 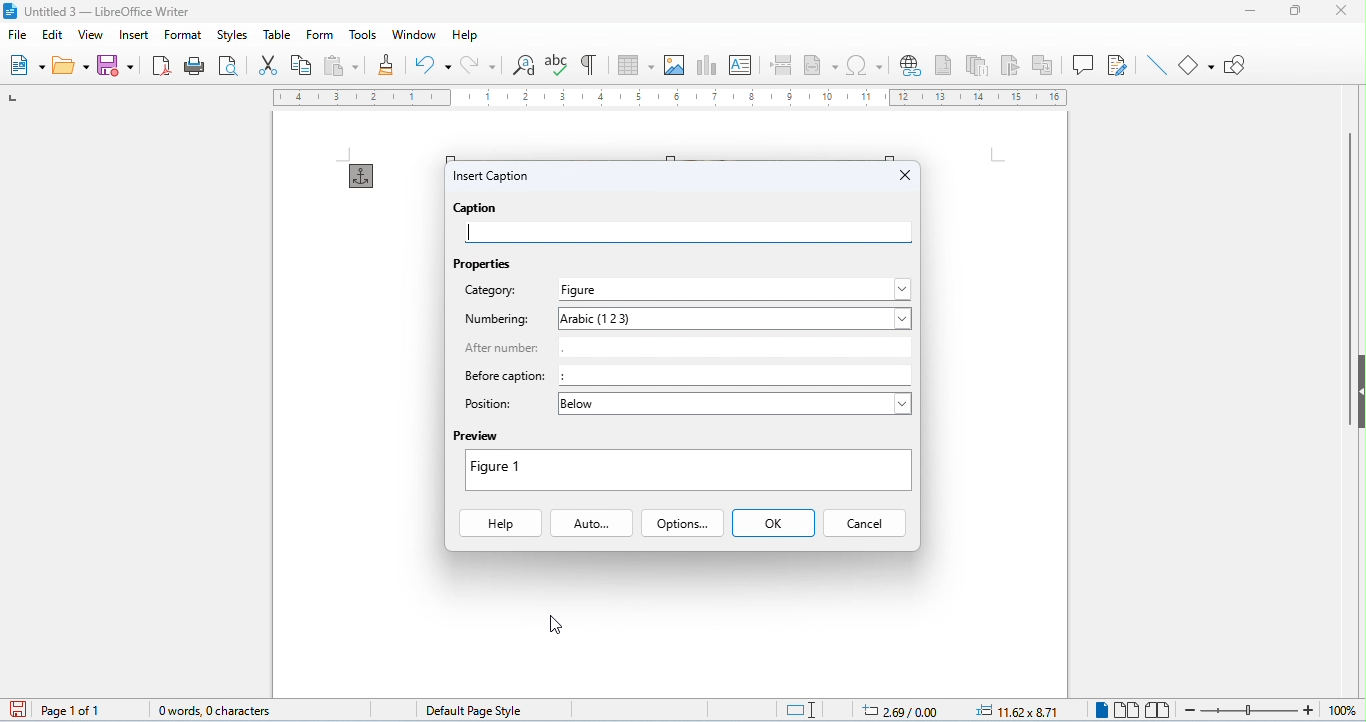 What do you see at coordinates (493, 403) in the screenshot?
I see `position` at bounding box center [493, 403].